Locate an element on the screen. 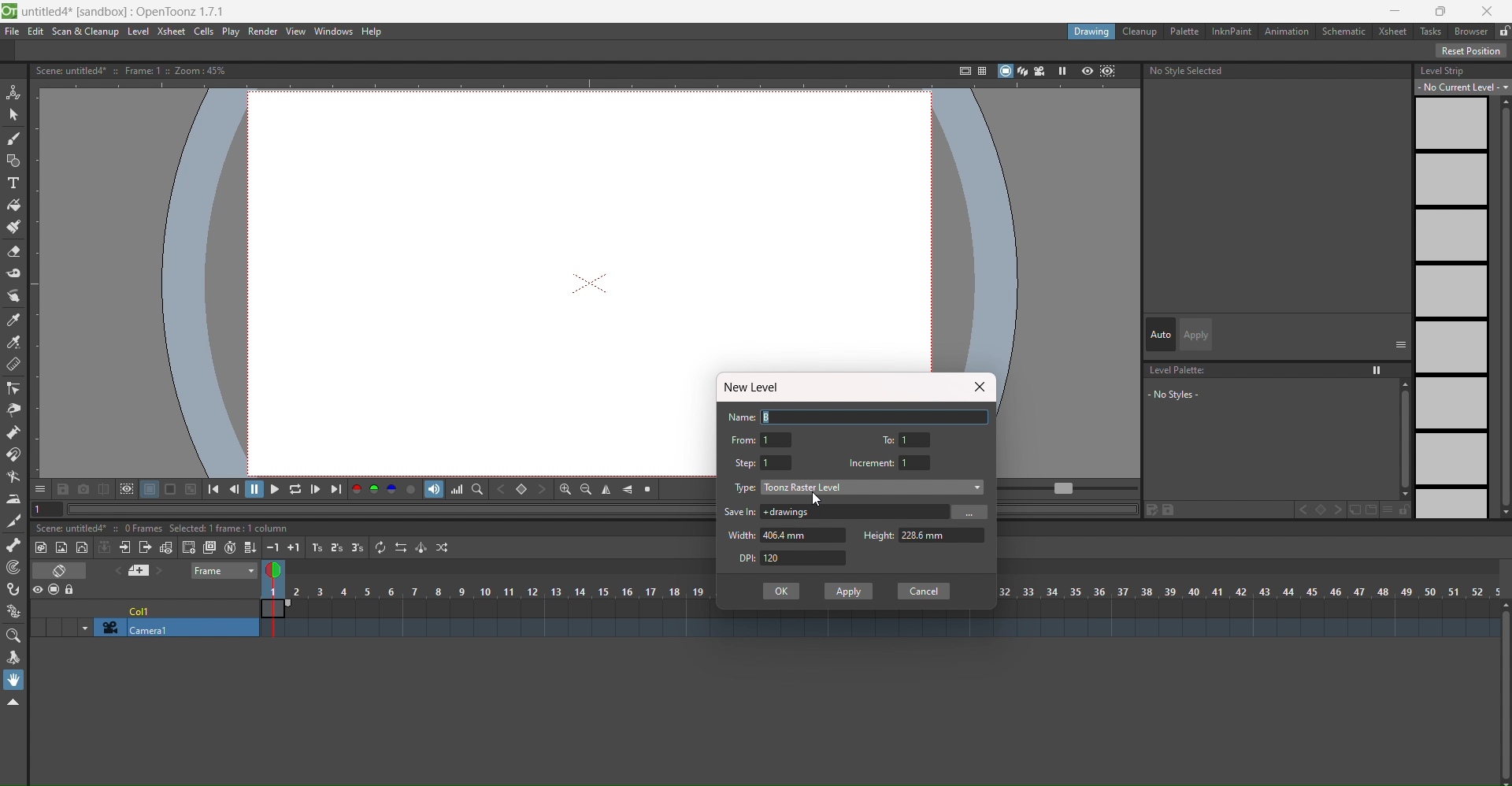  zoom out is located at coordinates (586, 489).